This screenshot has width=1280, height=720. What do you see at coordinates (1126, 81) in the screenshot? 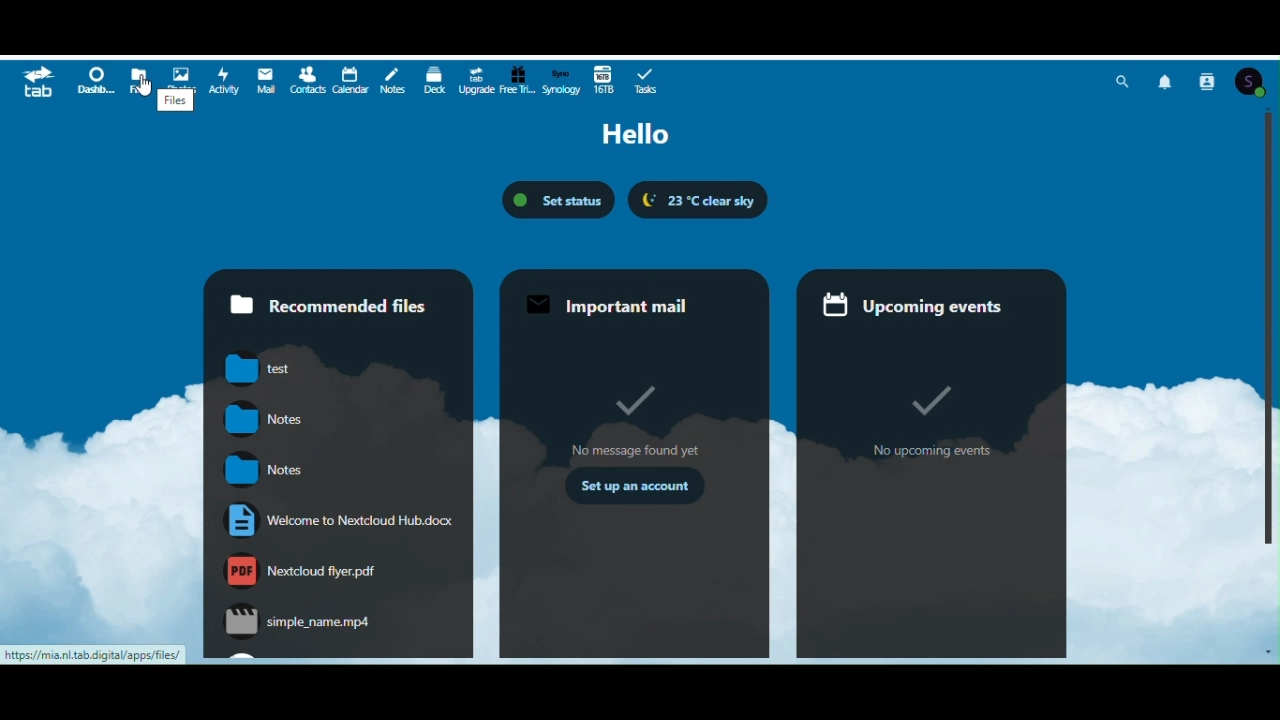
I see `Search` at bounding box center [1126, 81].